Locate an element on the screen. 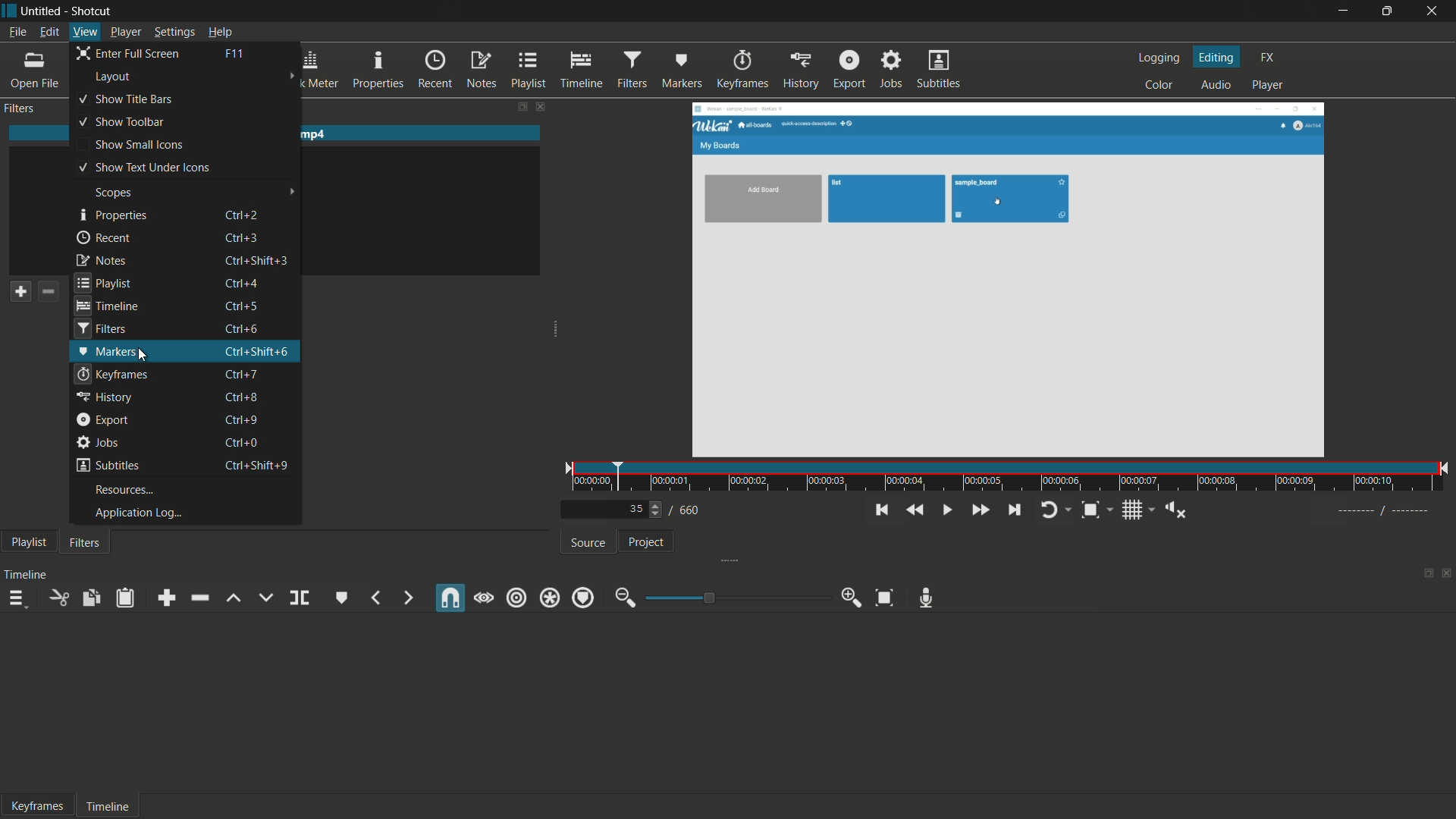  subtitles is located at coordinates (938, 70).